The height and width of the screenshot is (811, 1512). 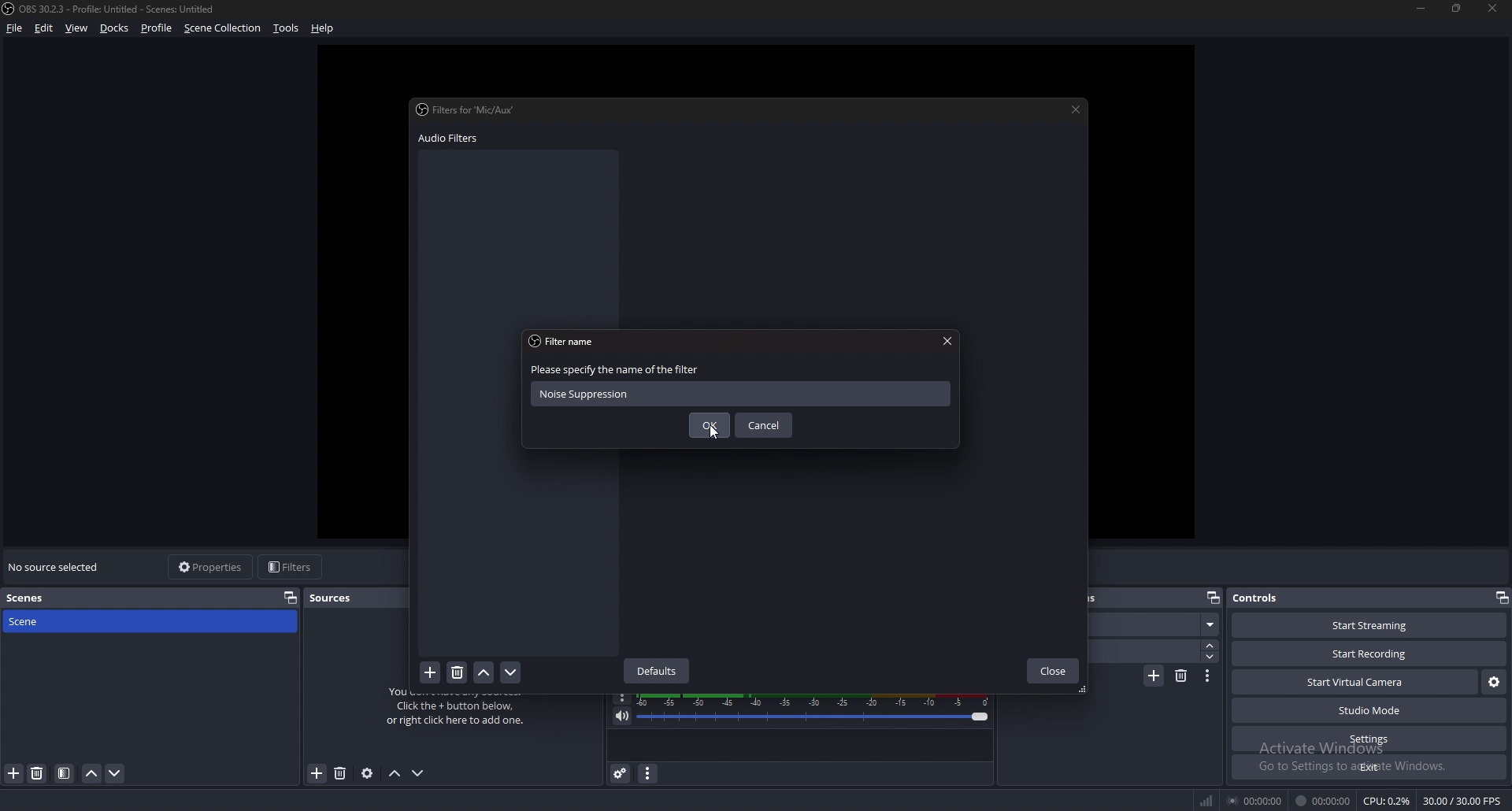 I want to click on settings, so click(x=1369, y=739).